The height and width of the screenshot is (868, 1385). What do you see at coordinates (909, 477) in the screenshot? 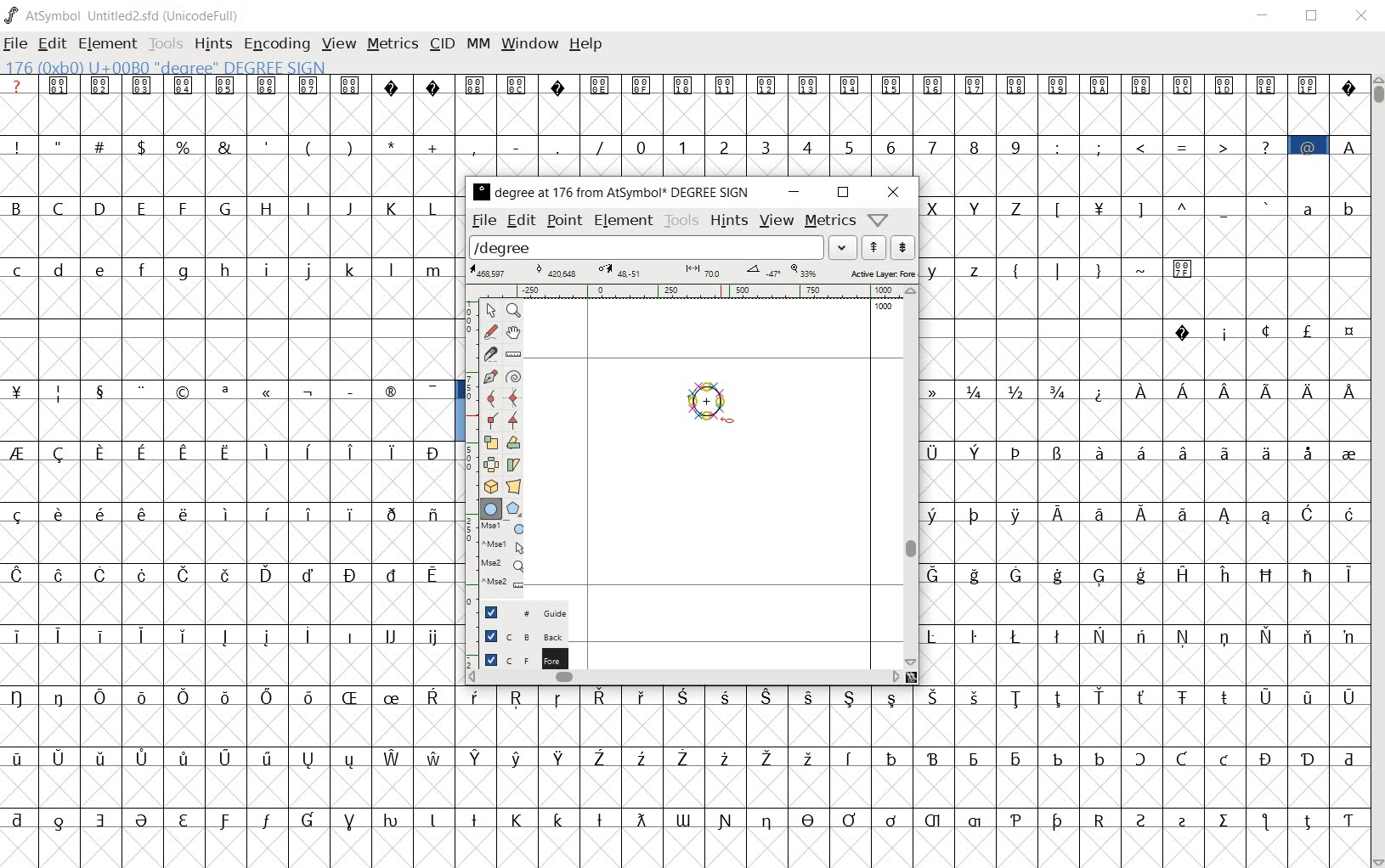
I see `scrollbar` at bounding box center [909, 477].